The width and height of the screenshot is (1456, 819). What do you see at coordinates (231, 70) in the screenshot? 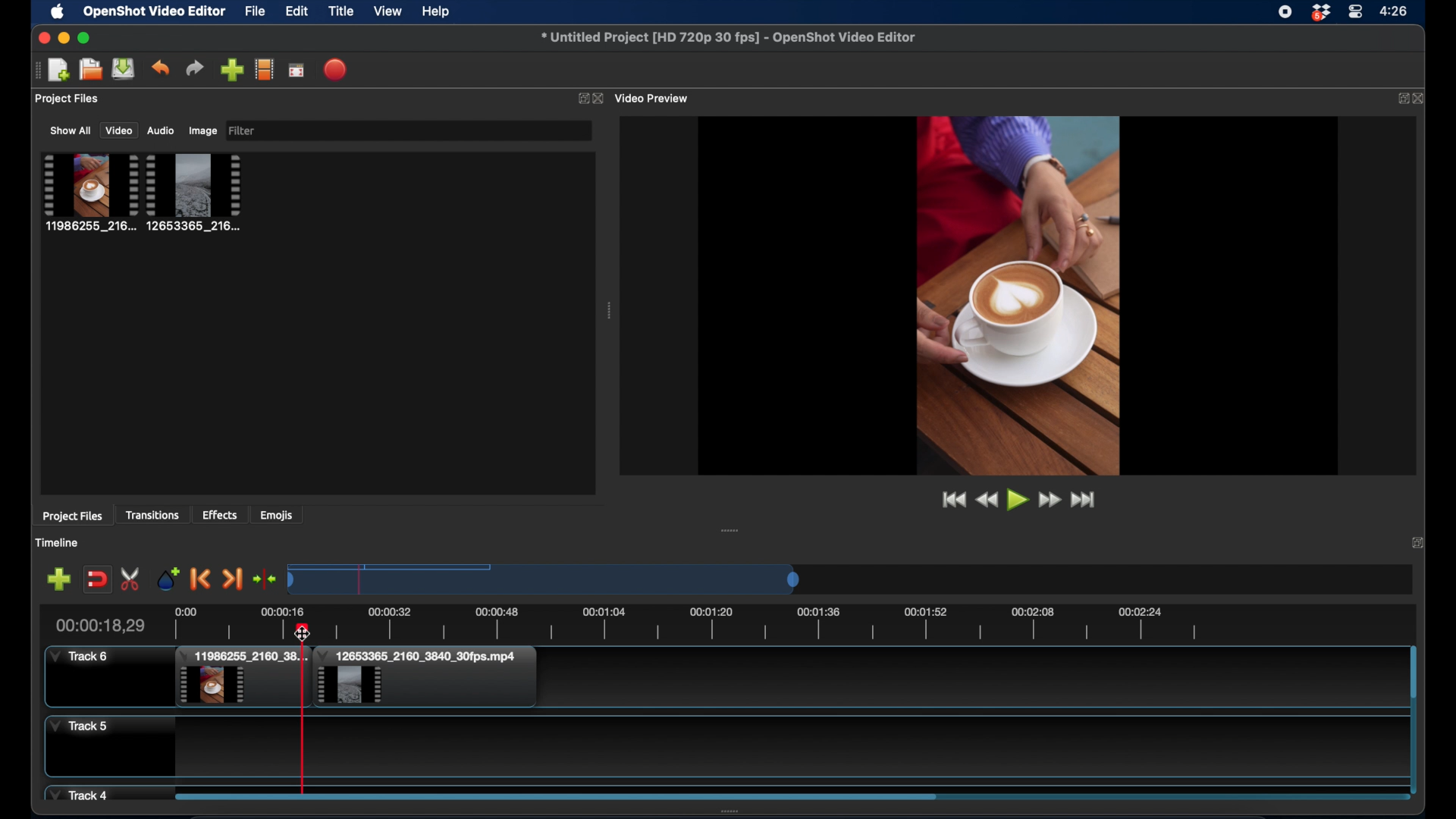
I see `import files` at bounding box center [231, 70].